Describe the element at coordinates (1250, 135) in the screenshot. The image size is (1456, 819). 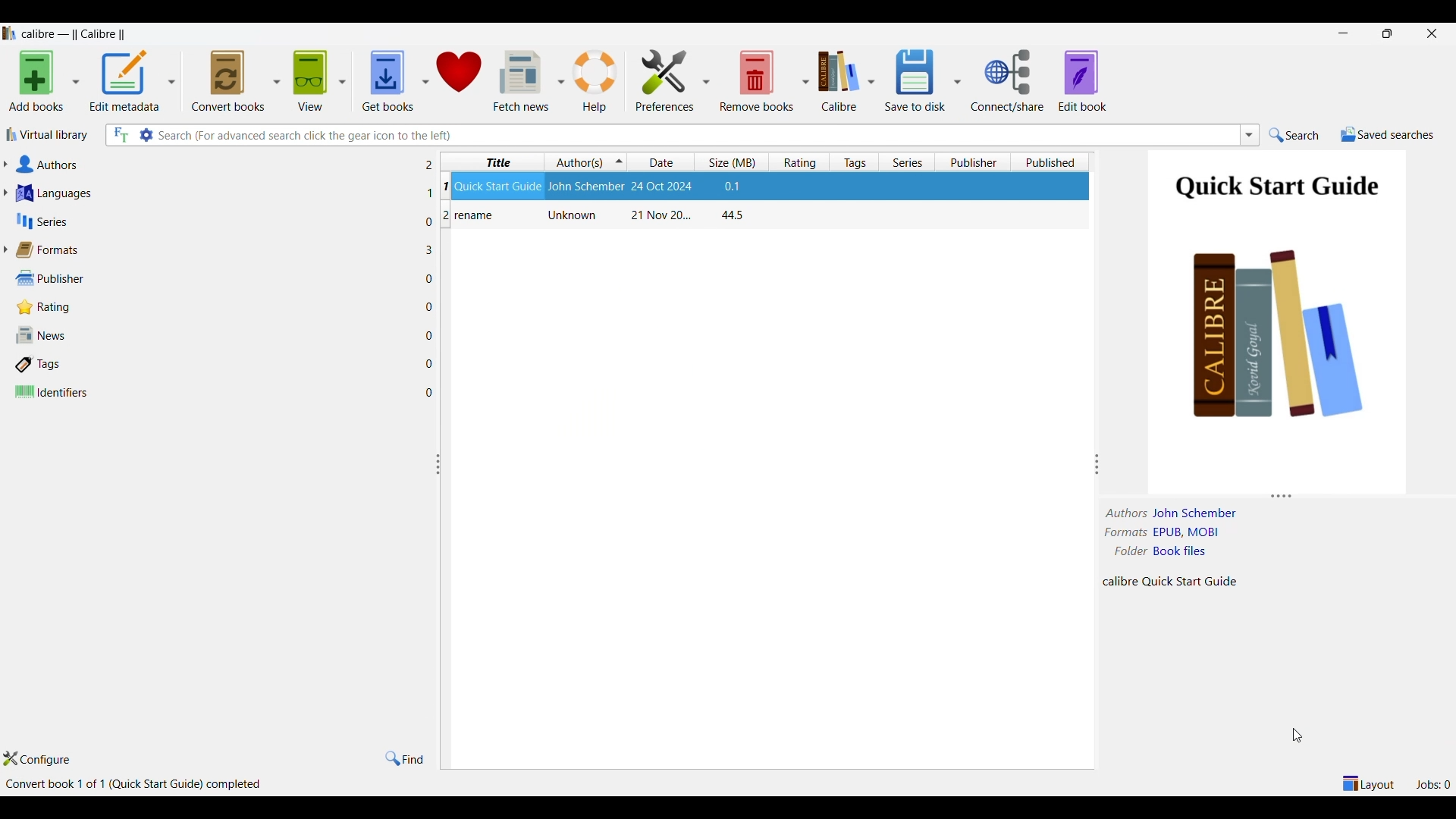
I see `List searches` at that location.